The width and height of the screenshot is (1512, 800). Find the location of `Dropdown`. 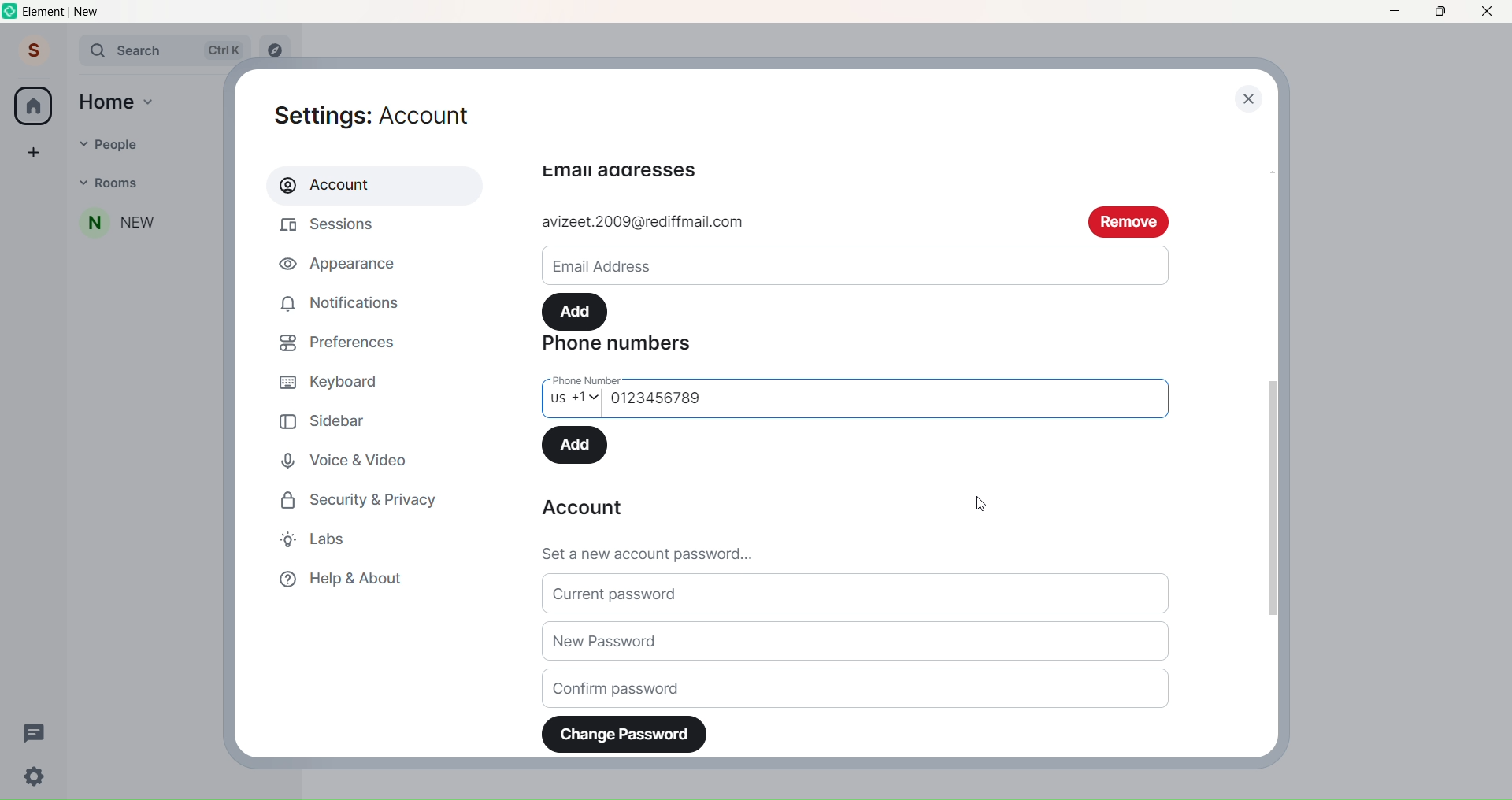

Dropdown is located at coordinates (79, 143).